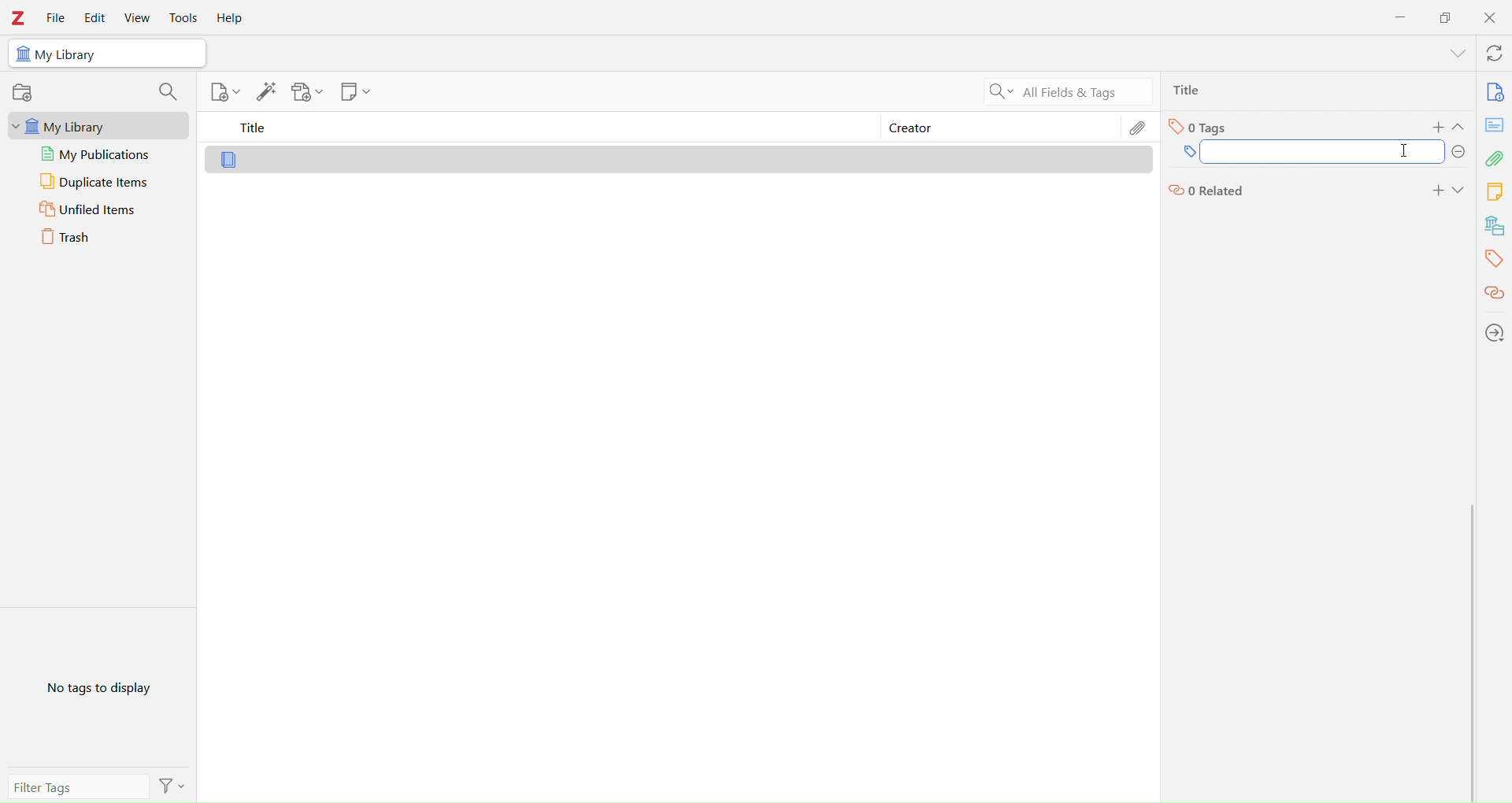  I want to click on Creator, so click(992, 129).